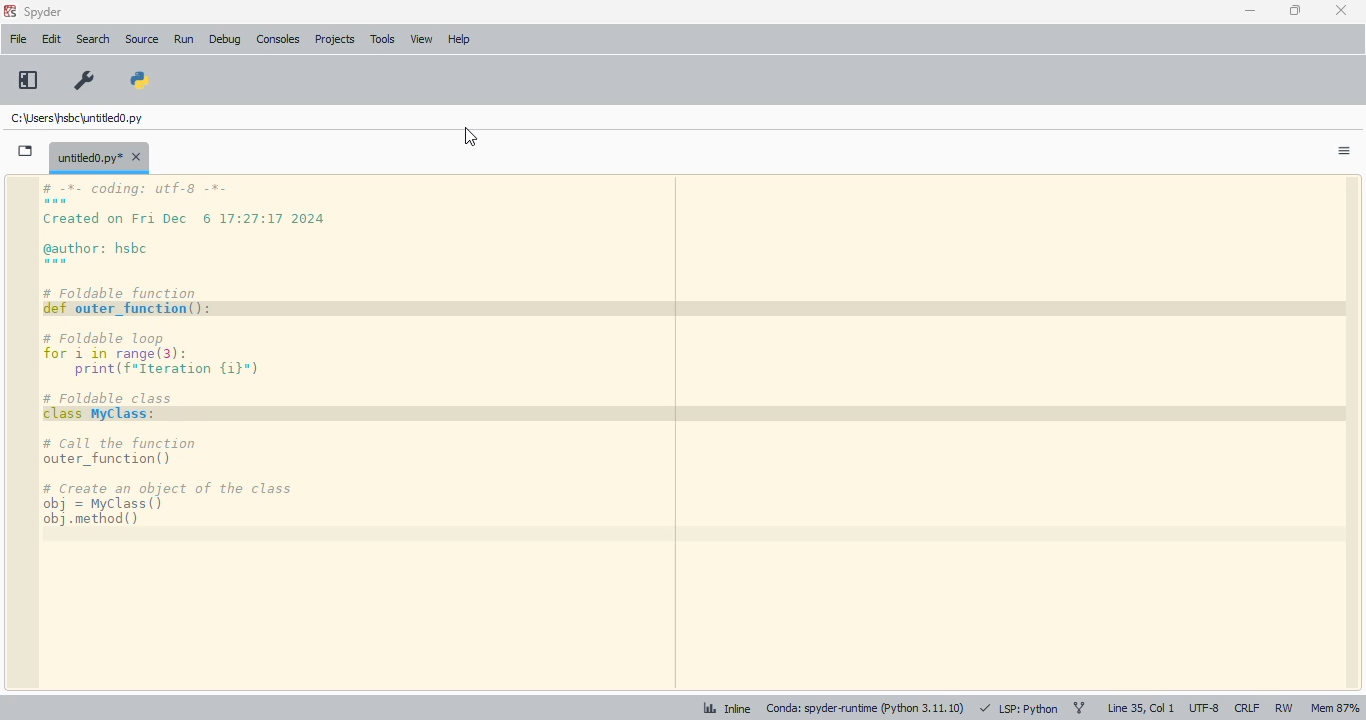 This screenshot has height=720, width=1366. Describe the element at coordinates (727, 708) in the screenshot. I see `inline` at that location.